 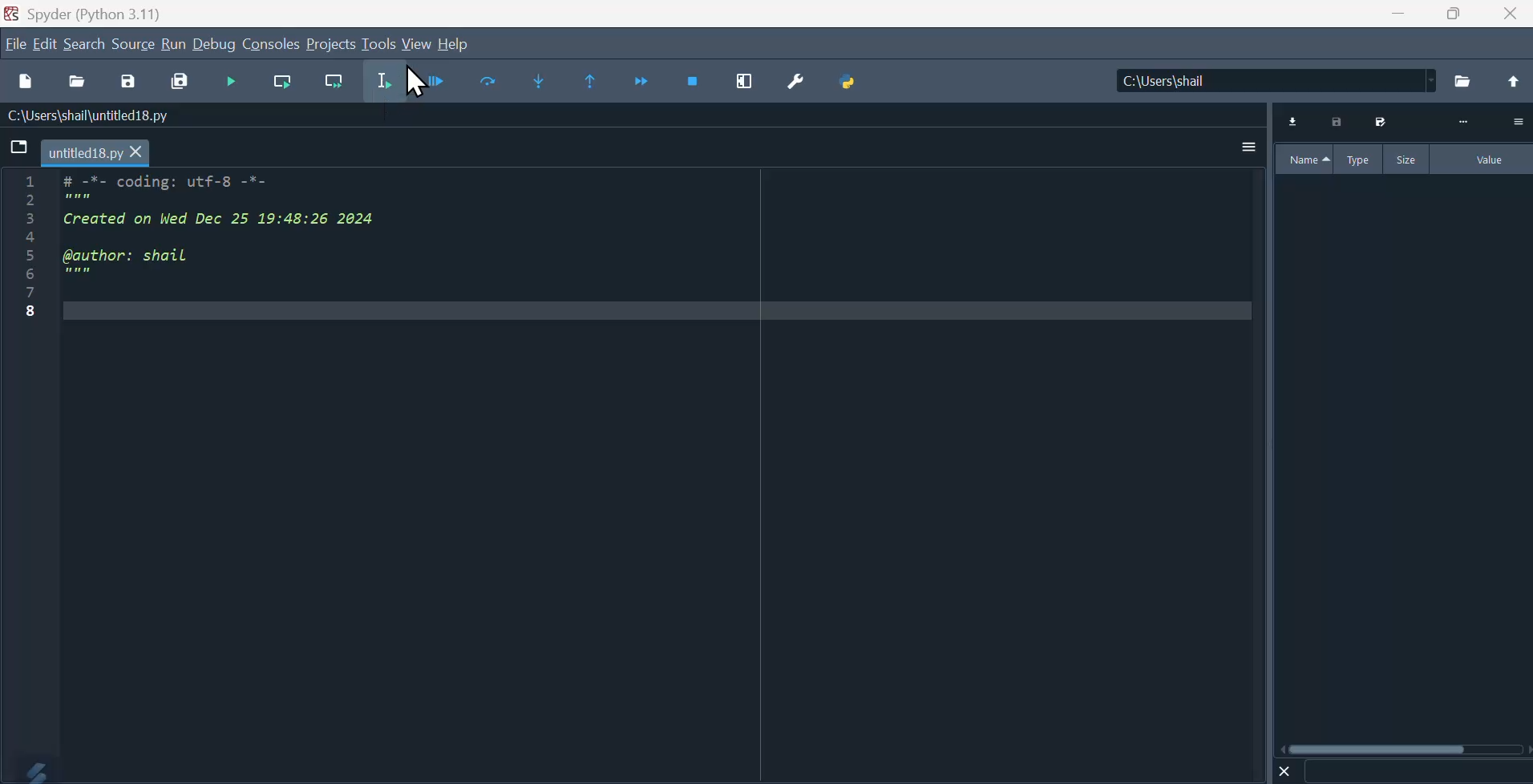 I want to click on Tools, so click(x=378, y=42).